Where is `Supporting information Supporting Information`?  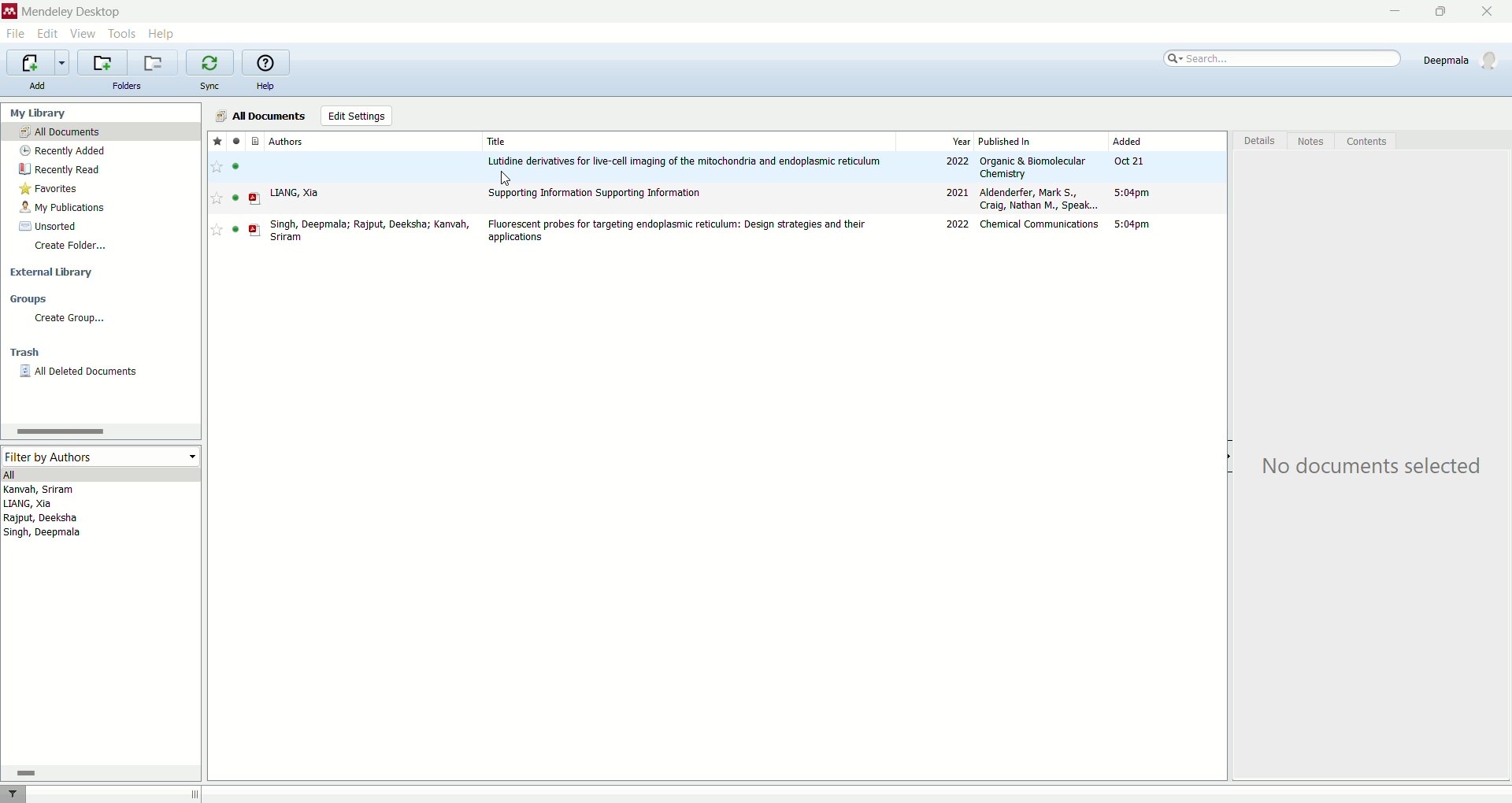
Supporting information Supporting Information is located at coordinates (596, 193).